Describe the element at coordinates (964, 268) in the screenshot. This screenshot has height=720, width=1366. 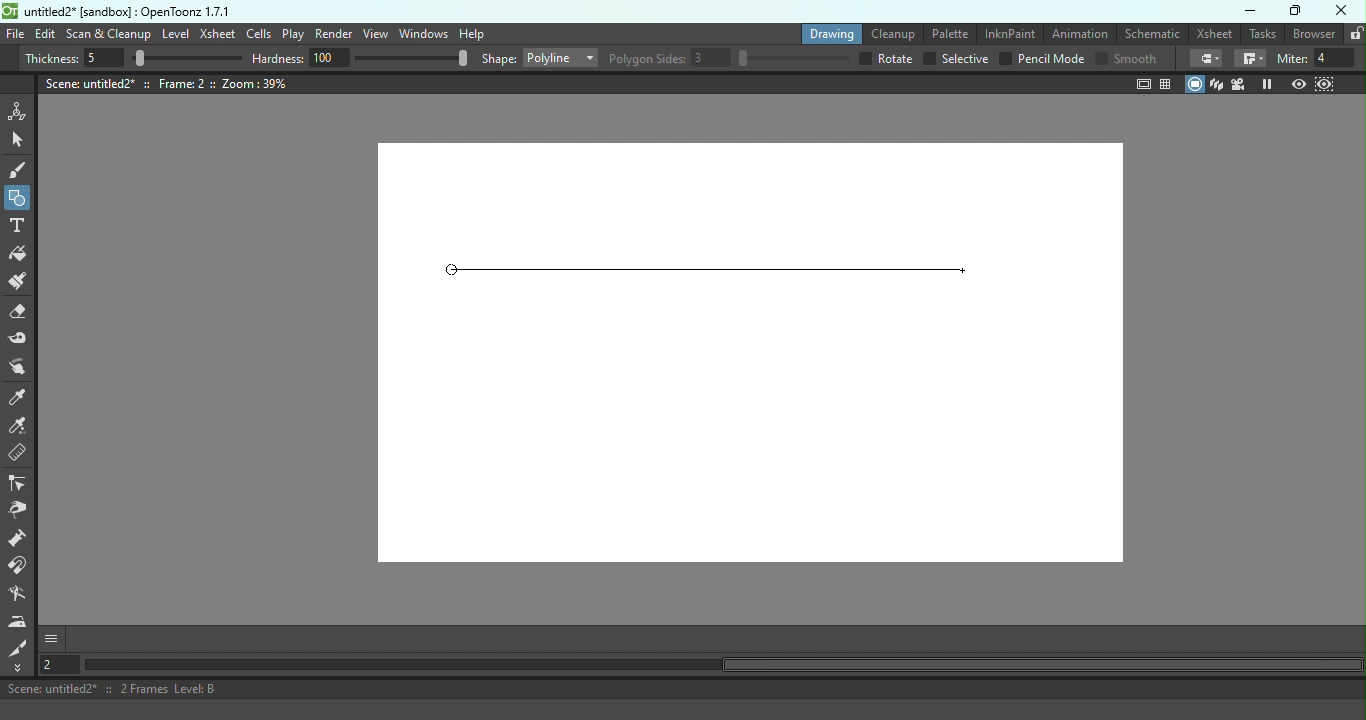
I see `Cursor` at that location.